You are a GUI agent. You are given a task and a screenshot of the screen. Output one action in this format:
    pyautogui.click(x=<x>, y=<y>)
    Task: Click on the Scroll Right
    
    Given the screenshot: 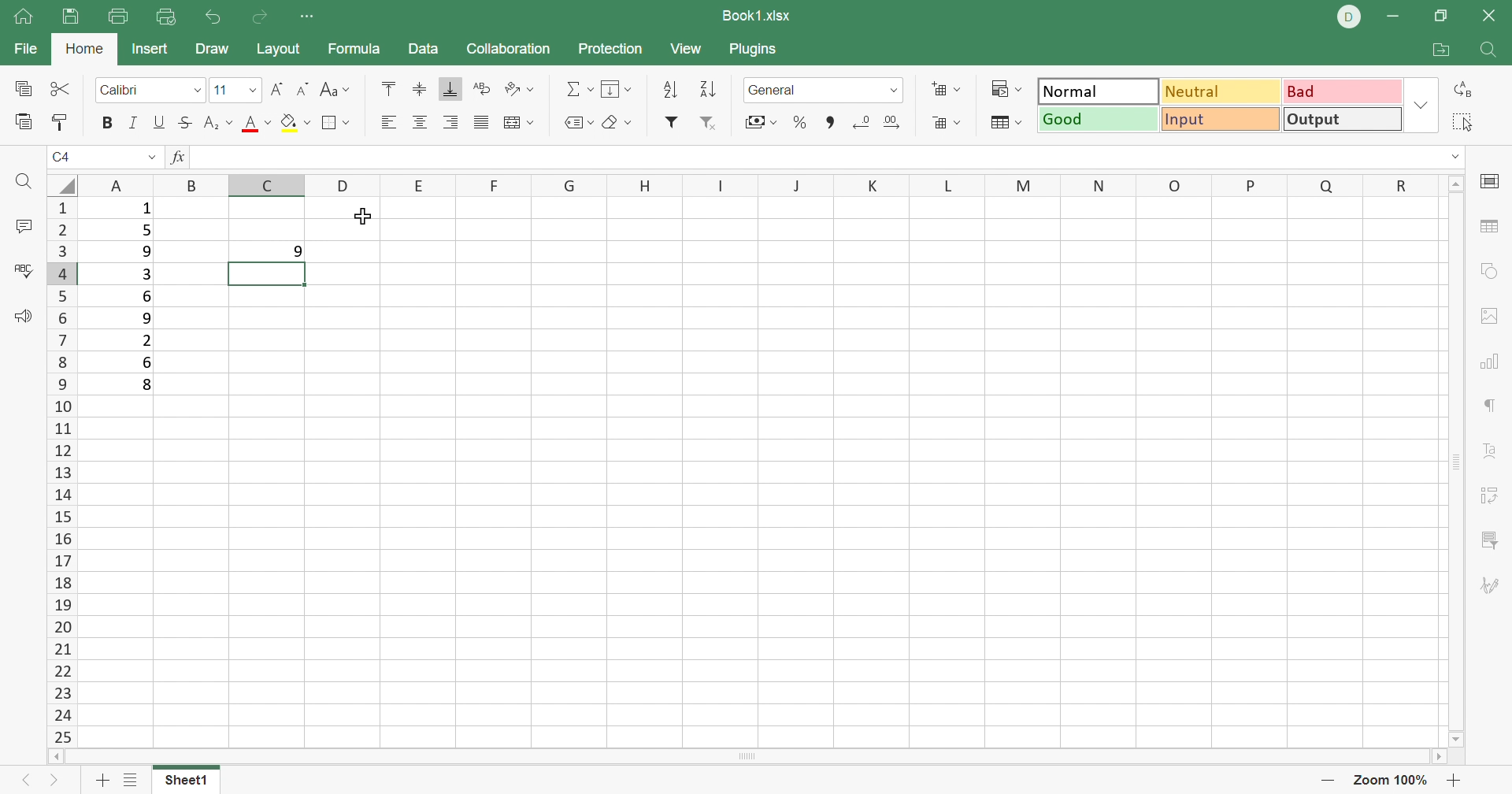 What is the action you would take?
    pyautogui.click(x=1440, y=758)
    